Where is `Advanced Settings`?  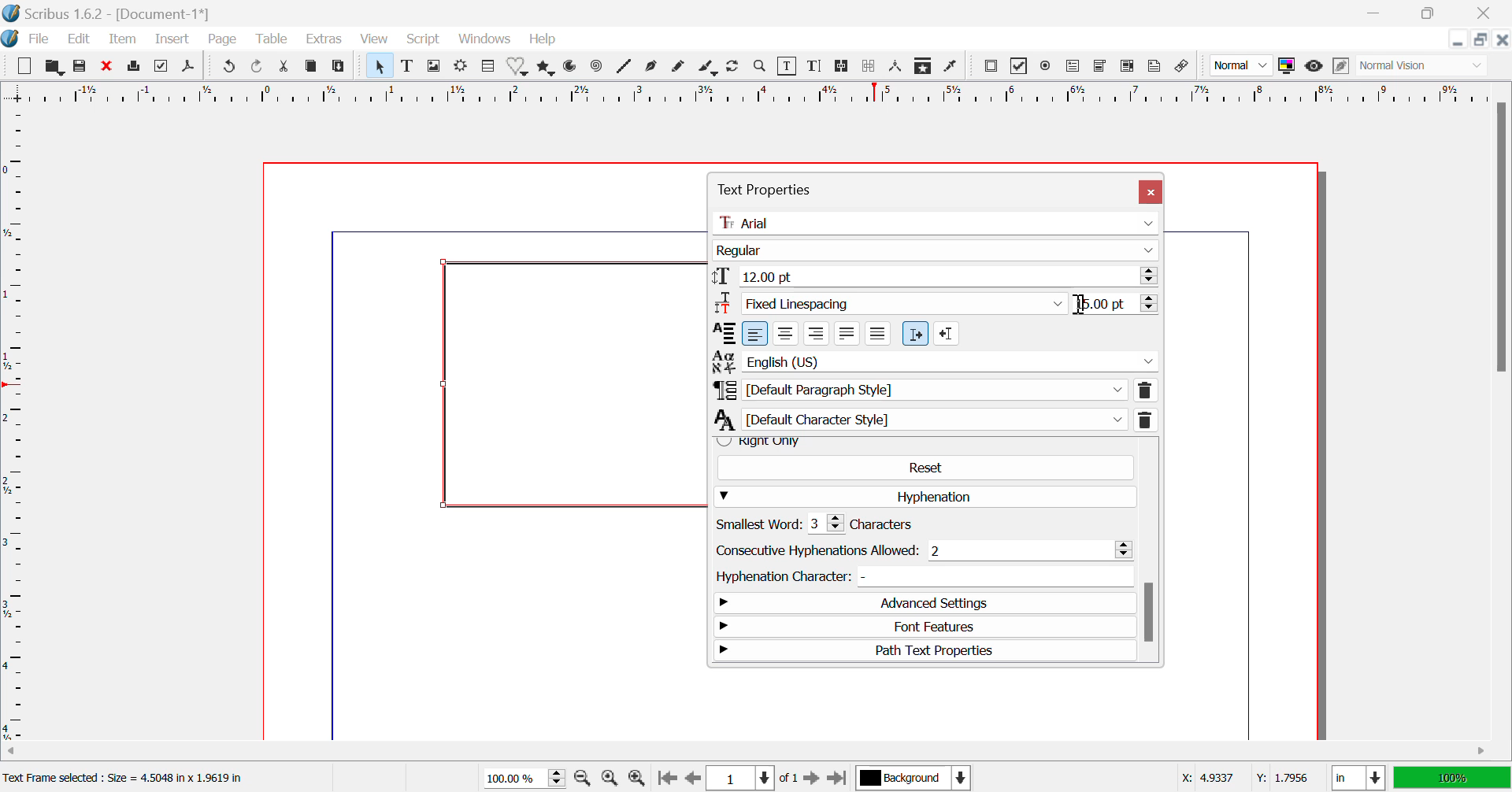 Advanced Settings is located at coordinates (921, 604).